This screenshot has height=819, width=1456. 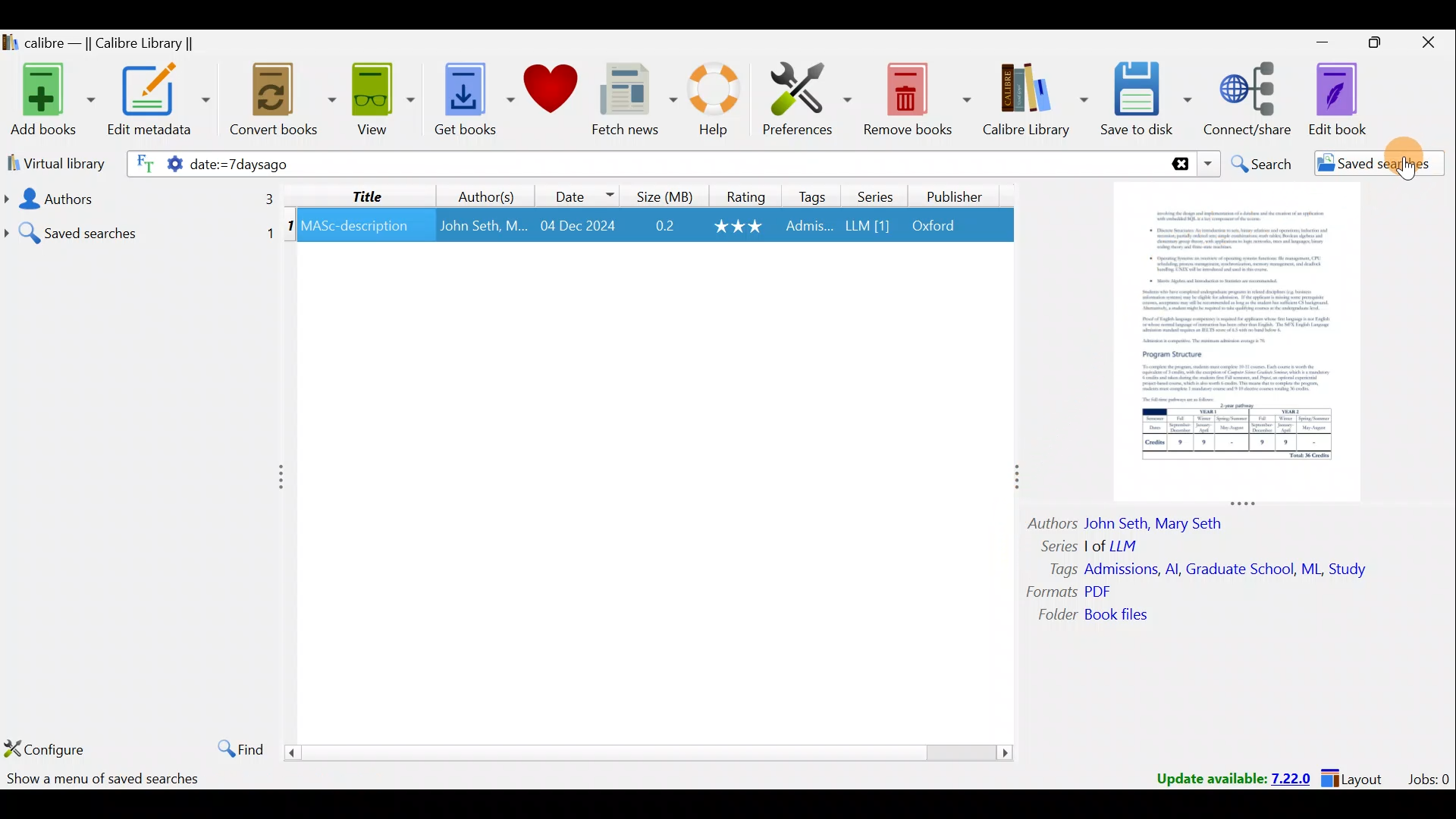 I want to click on Search bar, so click(x=883, y=163).